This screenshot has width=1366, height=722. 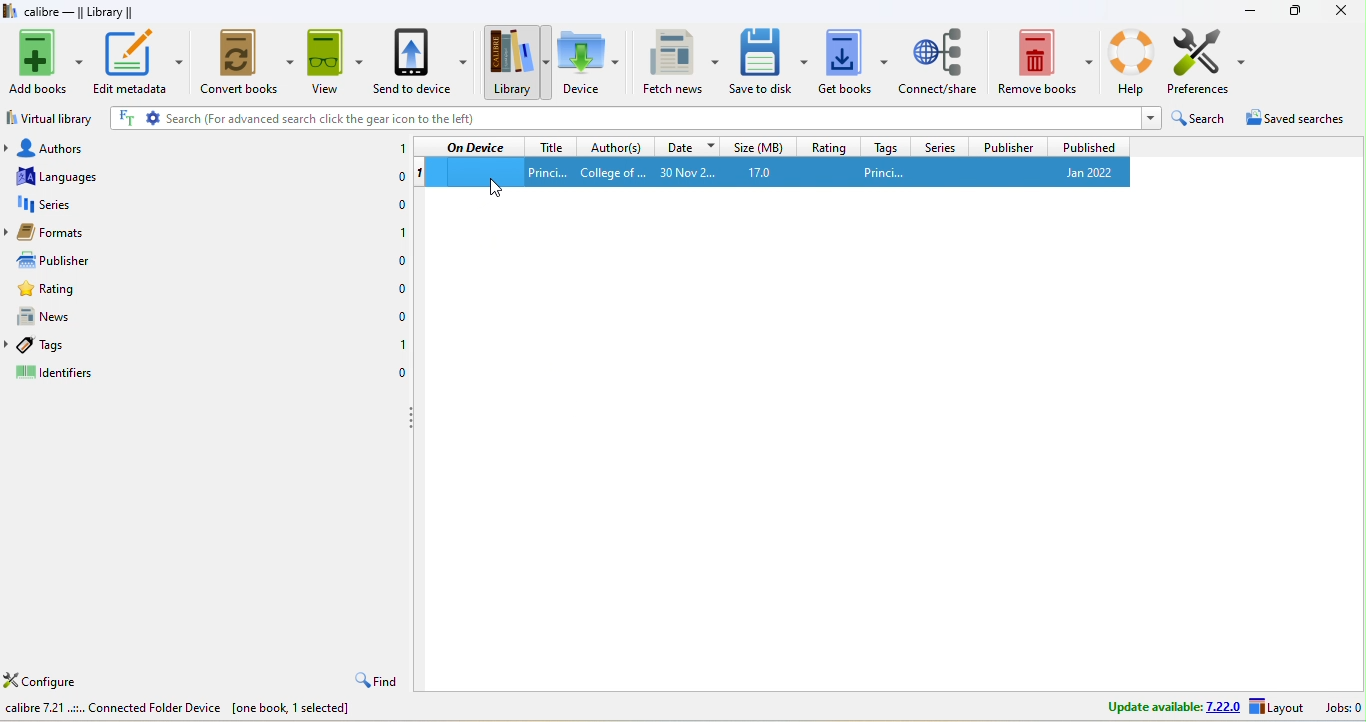 I want to click on languages, so click(x=56, y=175).